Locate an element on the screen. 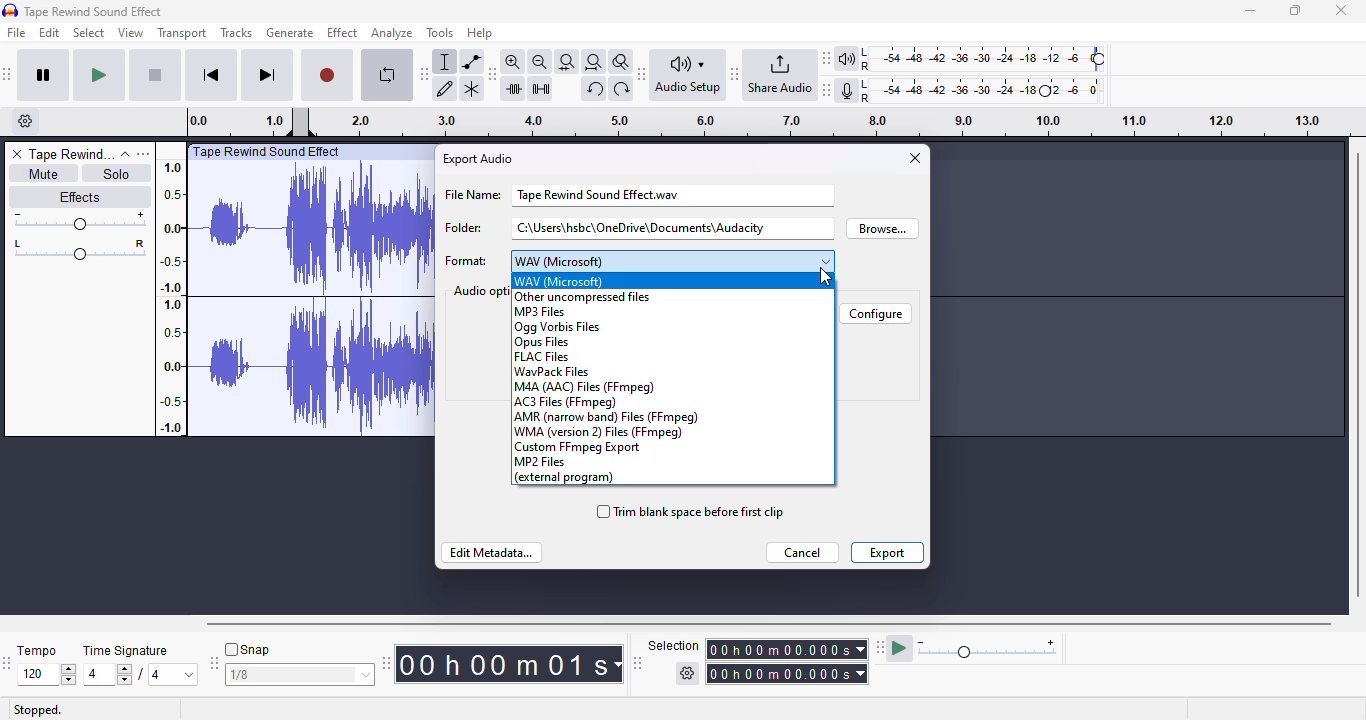 The image size is (1366, 720). configure is located at coordinates (874, 315).